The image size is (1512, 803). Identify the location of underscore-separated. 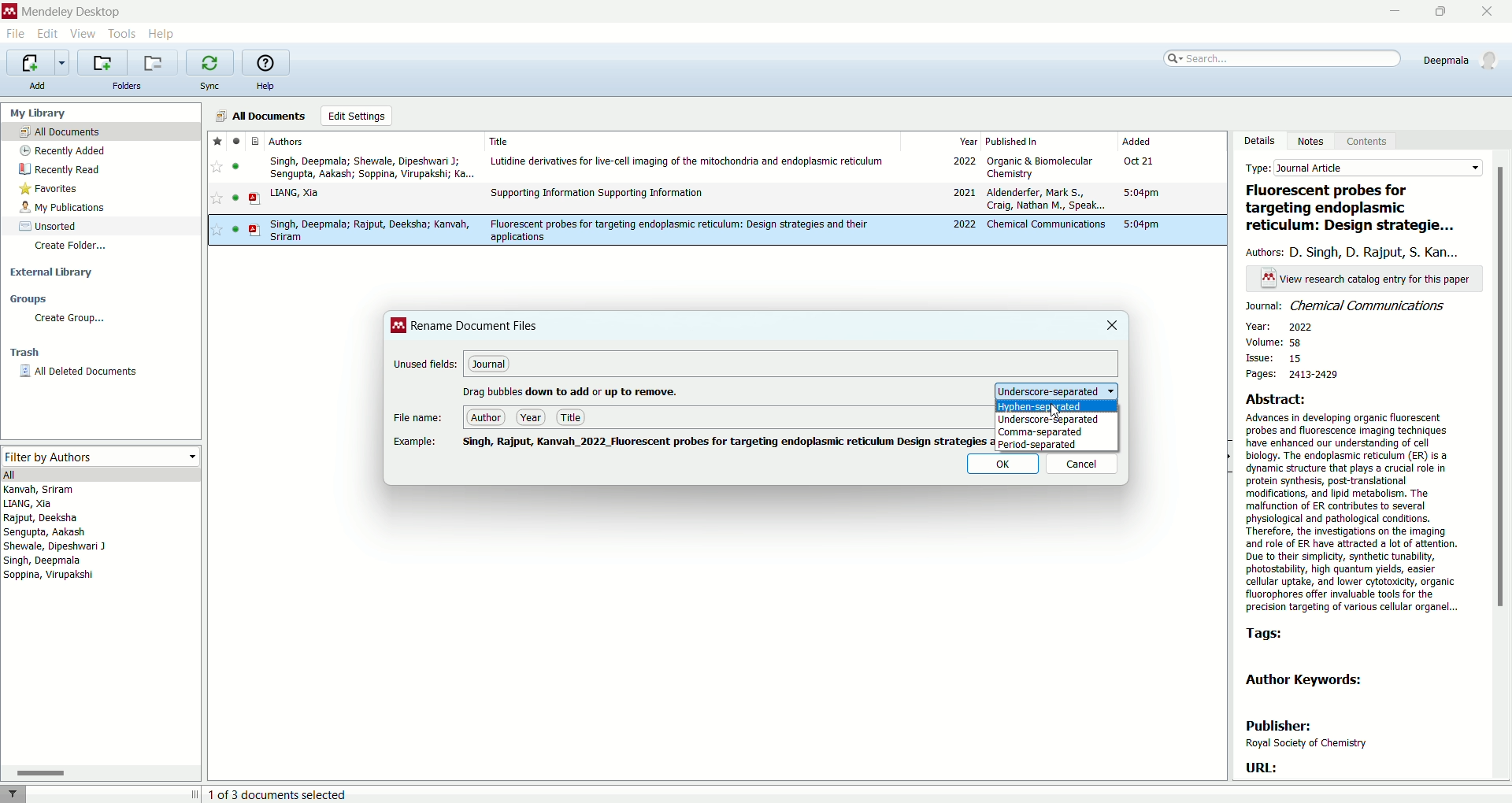
(1053, 418).